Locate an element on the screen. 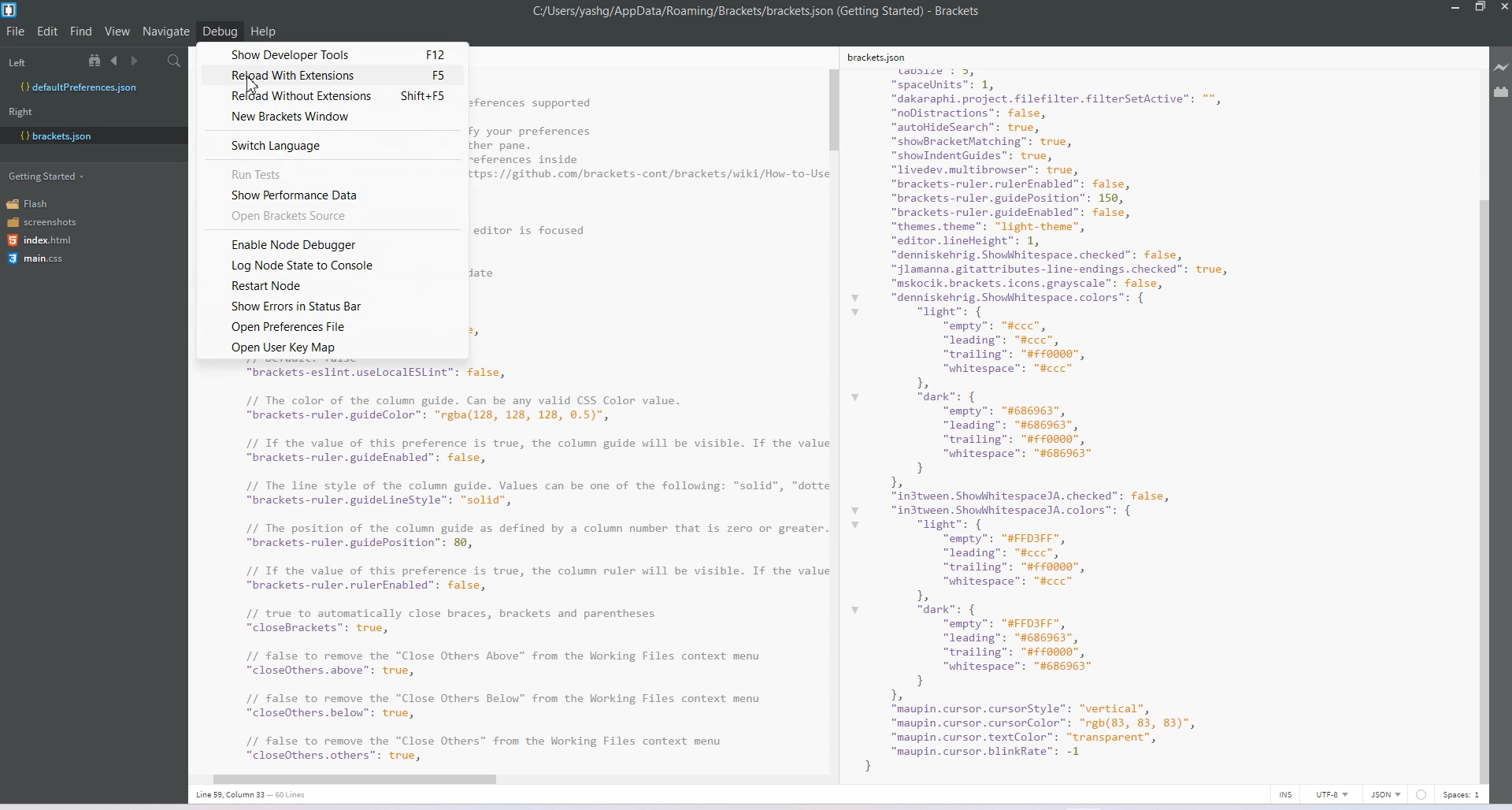  JSON is located at coordinates (1387, 794).